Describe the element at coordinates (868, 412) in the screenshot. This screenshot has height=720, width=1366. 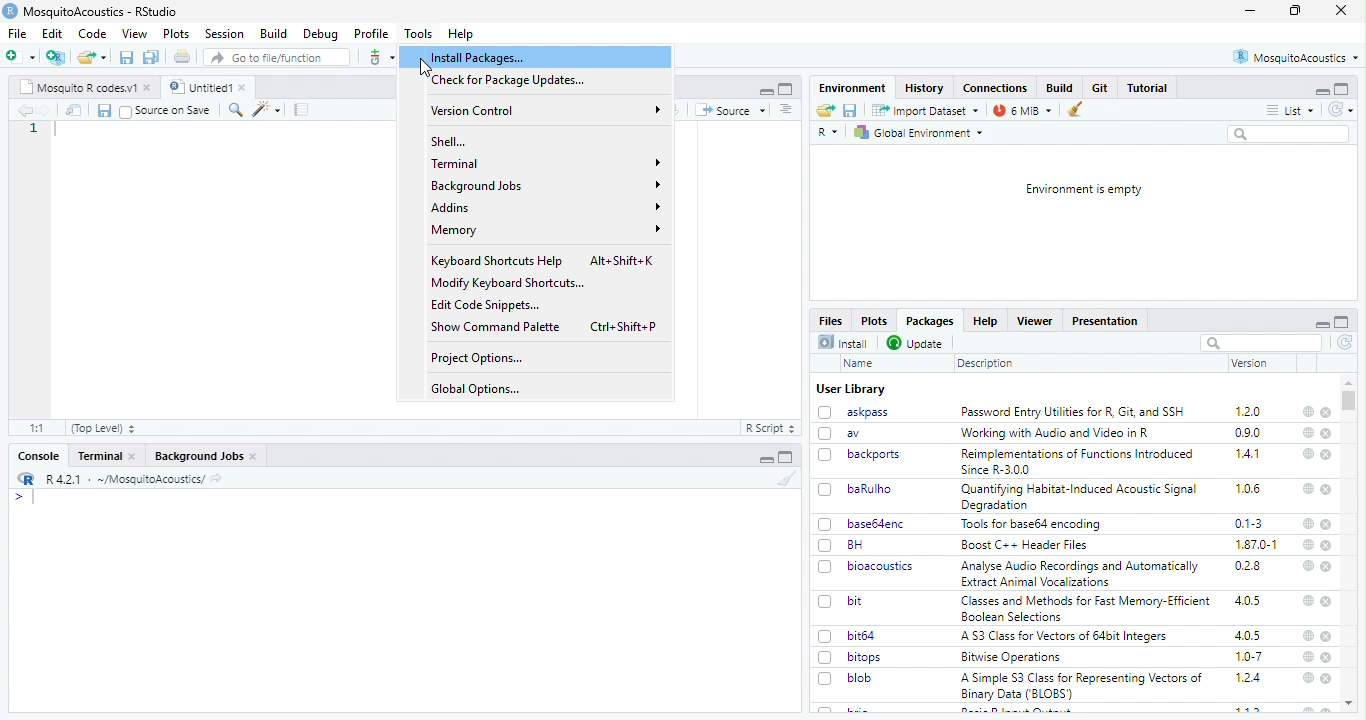
I see `askpass` at that location.